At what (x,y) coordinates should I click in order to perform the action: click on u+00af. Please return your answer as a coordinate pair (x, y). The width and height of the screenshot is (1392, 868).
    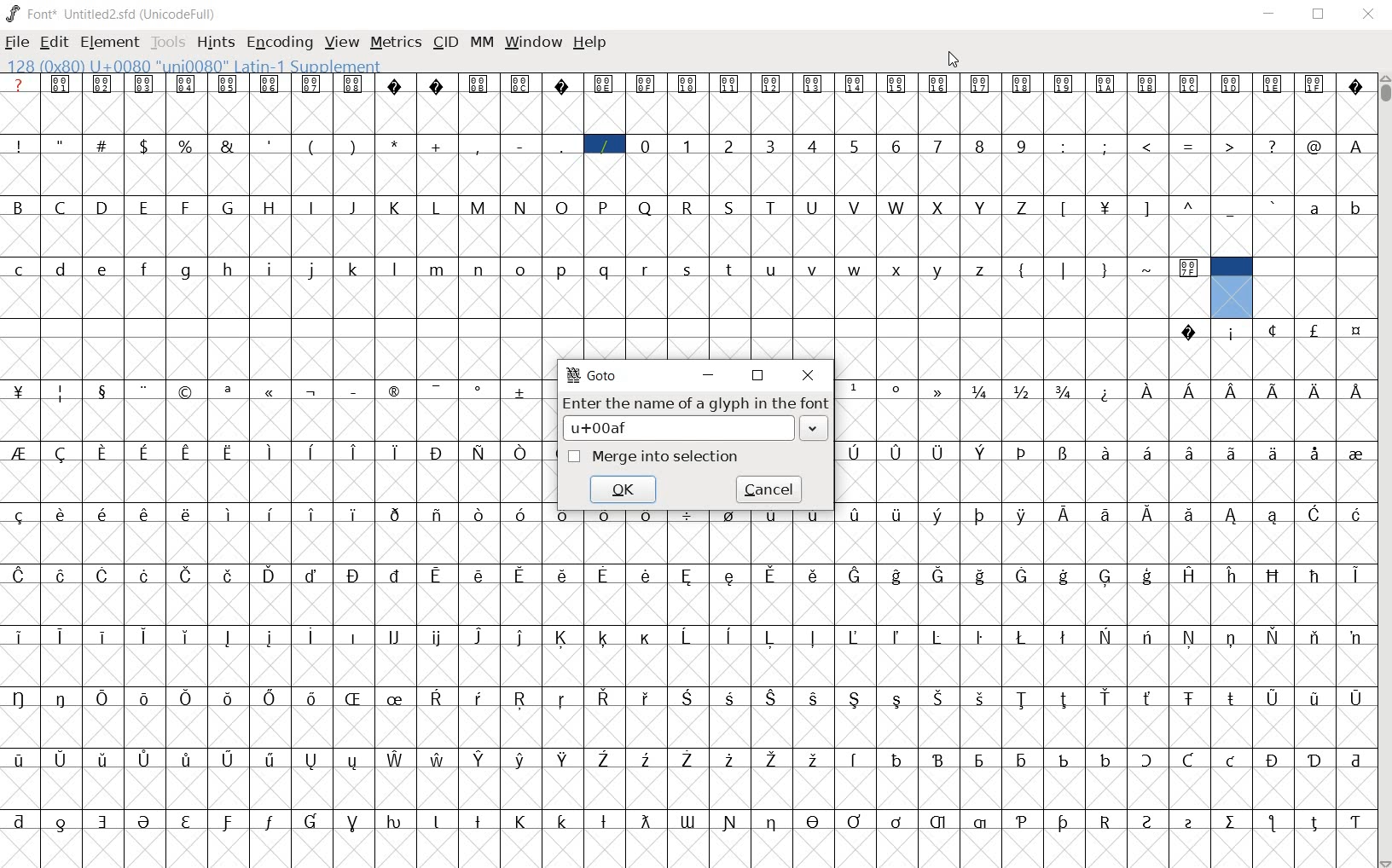
    Looking at the image, I should click on (674, 429).